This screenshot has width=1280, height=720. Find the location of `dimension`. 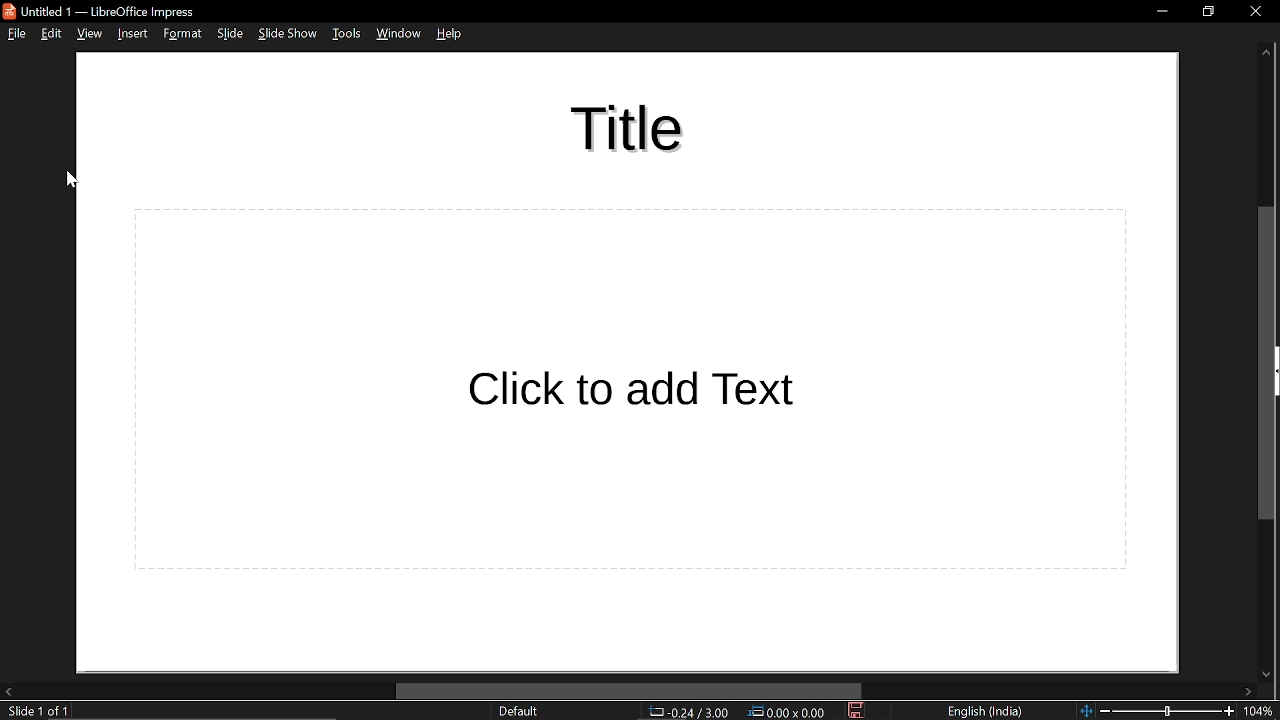

dimension is located at coordinates (791, 712).